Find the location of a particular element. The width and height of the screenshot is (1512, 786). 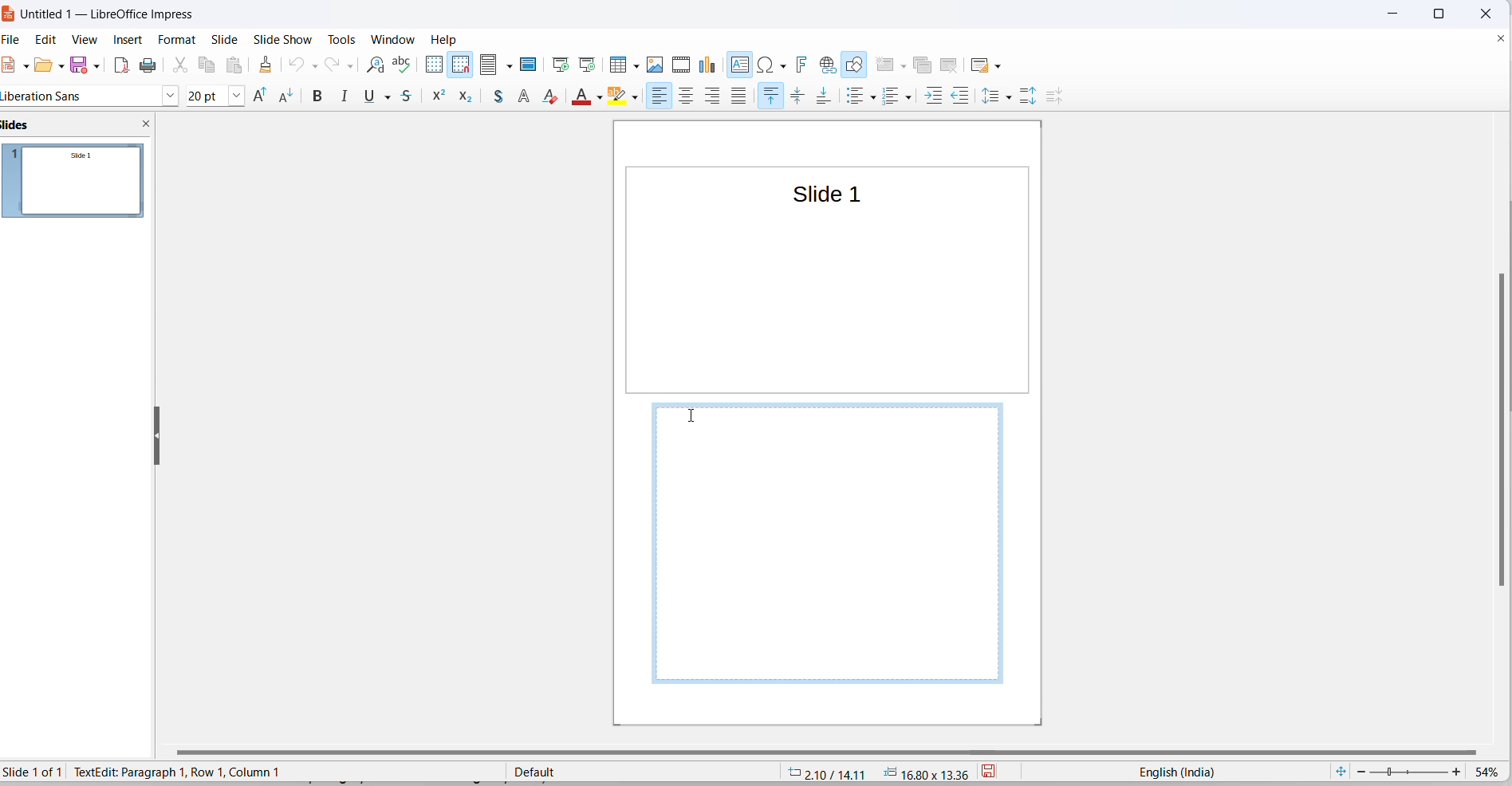

file is located at coordinates (12, 65).